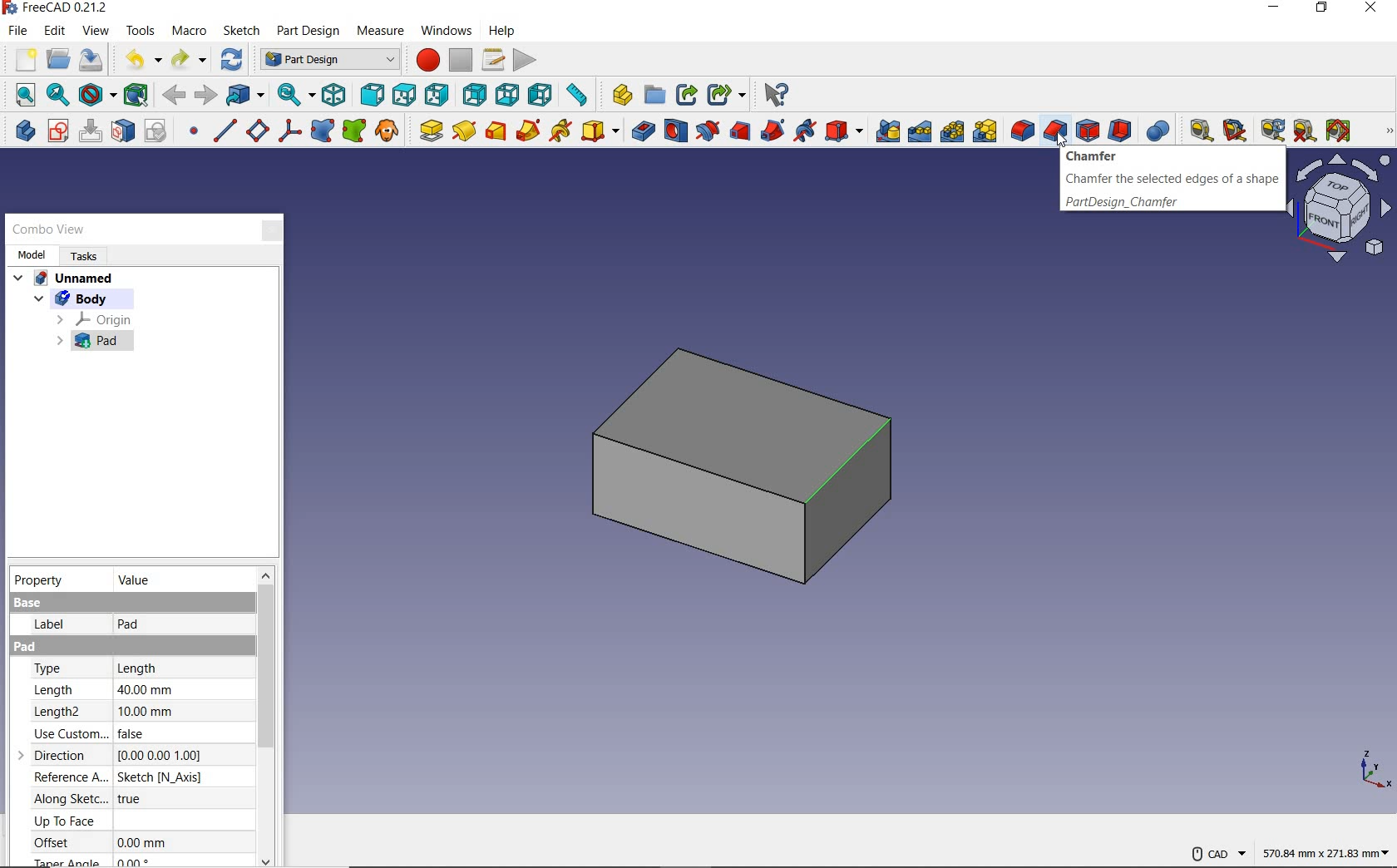 This screenshot has height=868, width=1397. Describe the element at coordinates (525, 60) in the screenshot. I see `execute macro` at that location.